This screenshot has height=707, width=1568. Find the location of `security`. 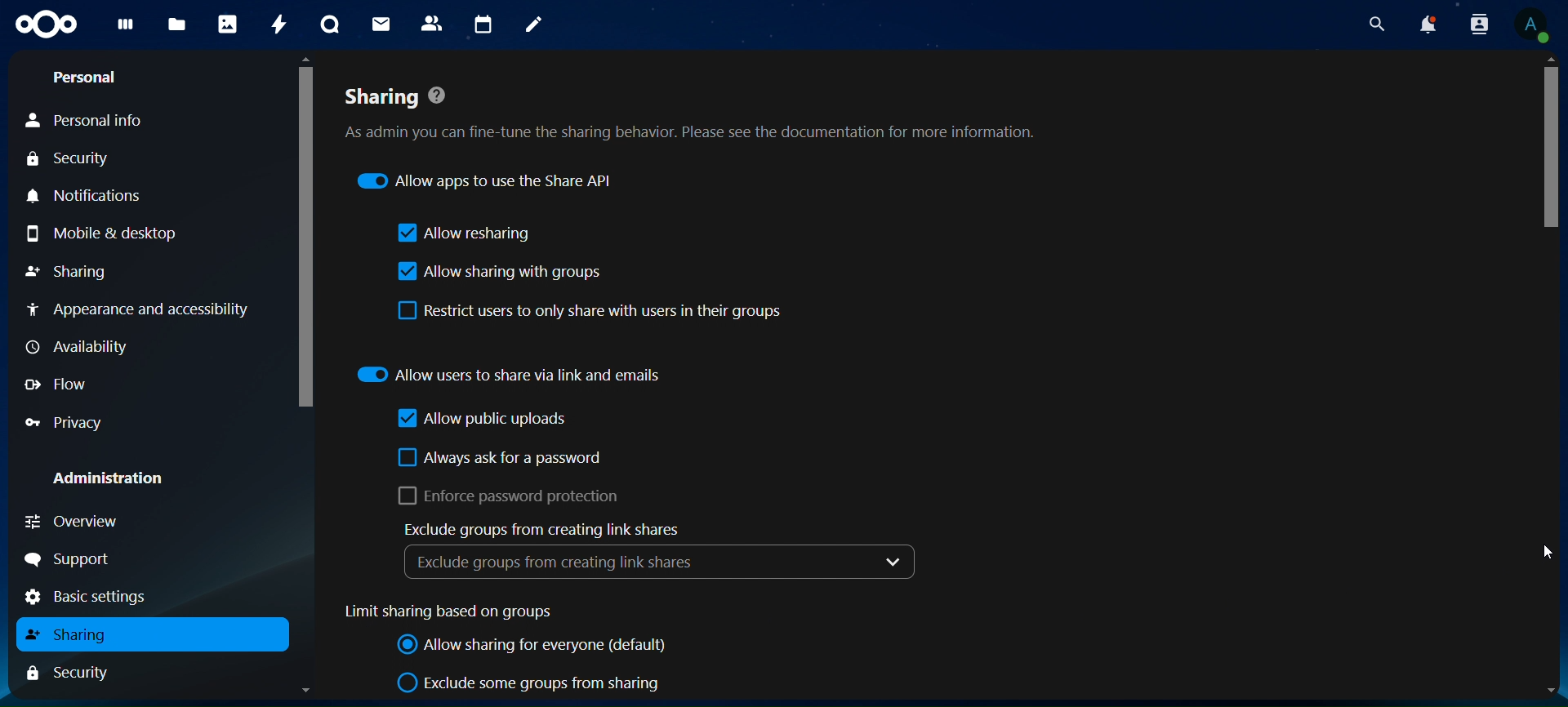

security is located at coordinates (77, 673).